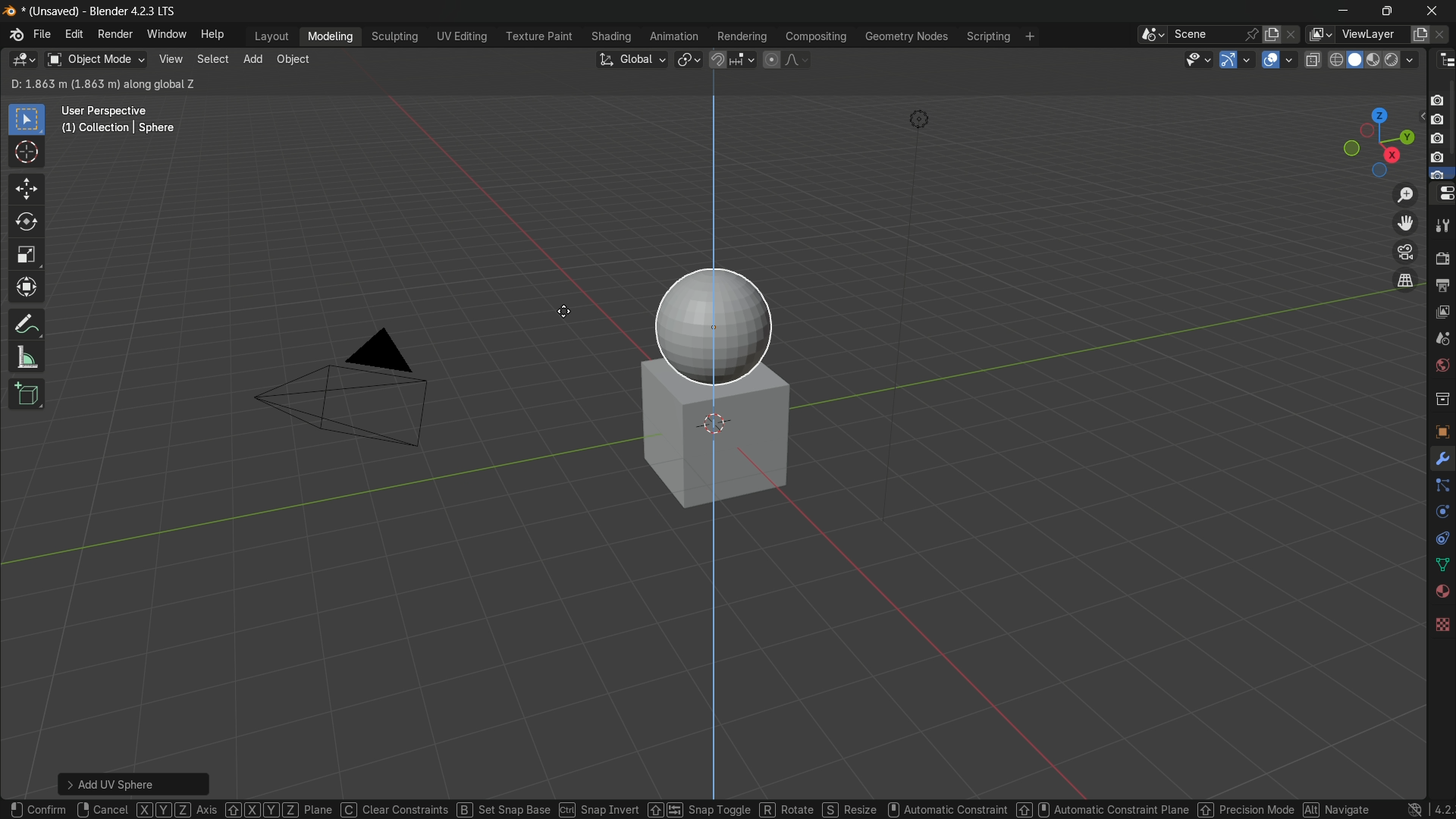  Describe the element at coordinates (1421, 35) in the screenshot. I see `add new layer` at that location.